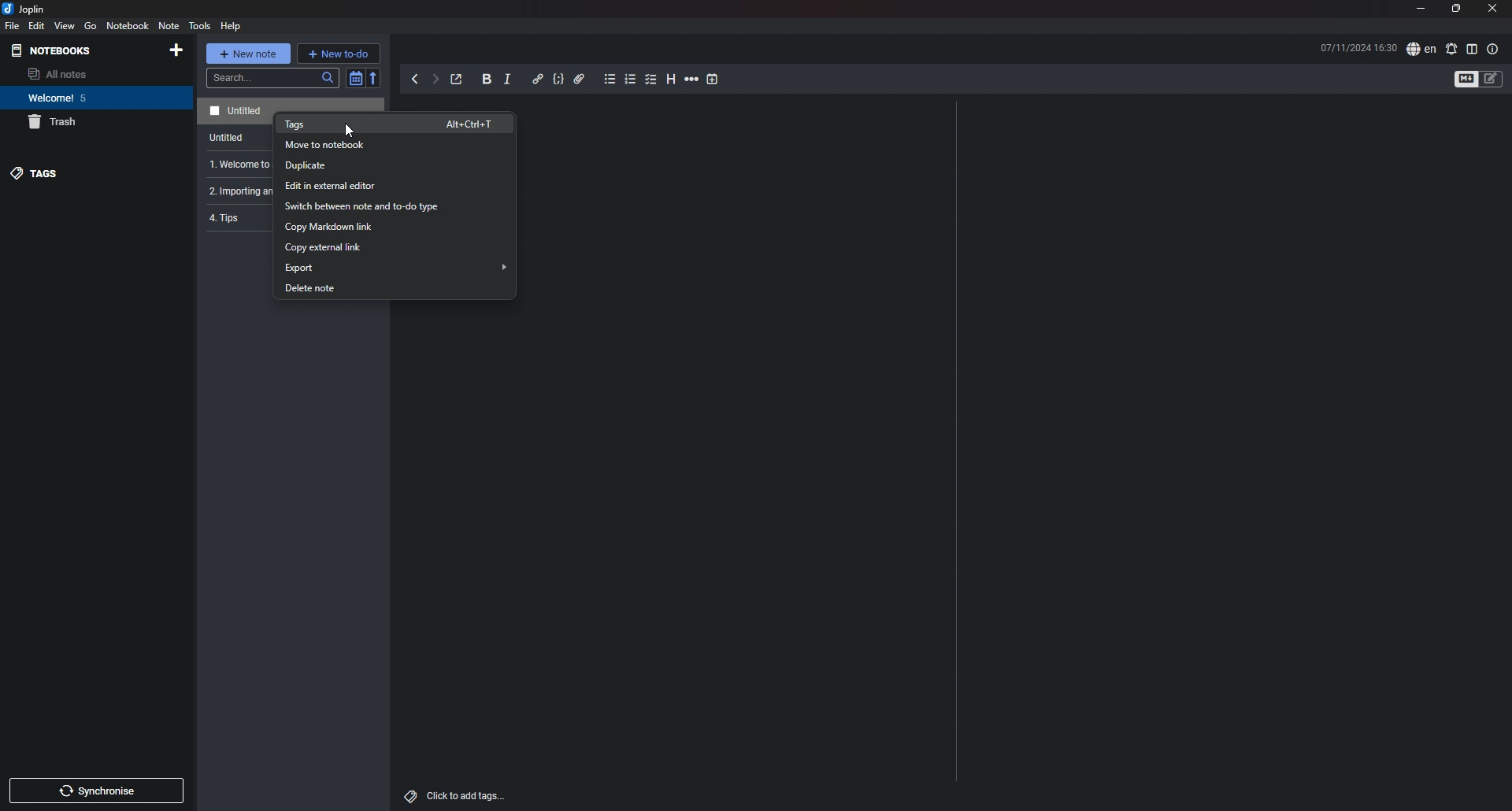  I want to click on minimize, so click(1421, 10).